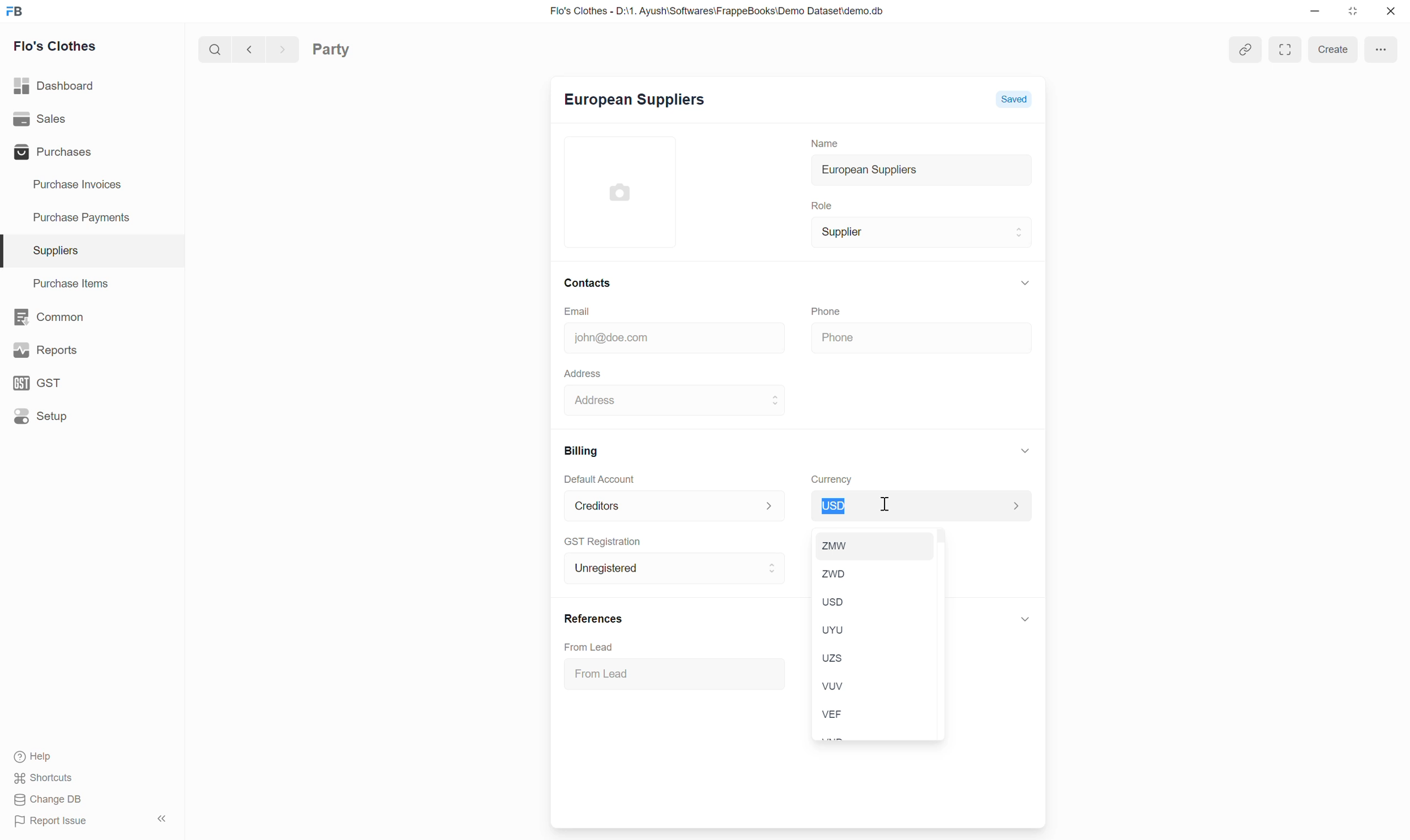  Describe the element at coordinates (841, 545) in the screenshot. I see `ZMW` at that location.